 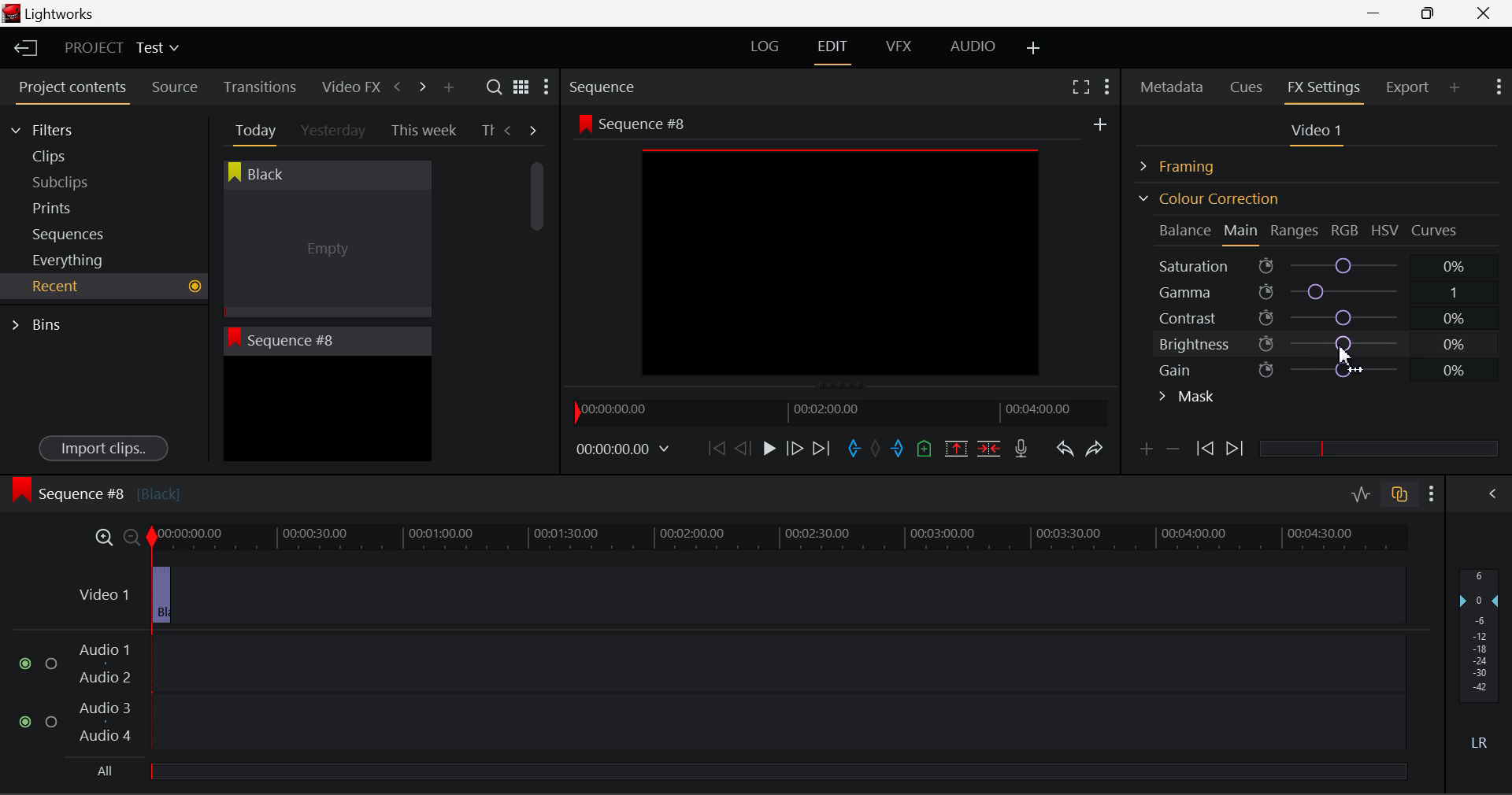 I want to click on Toggle audio track sync, so click(x=1400, y=493).